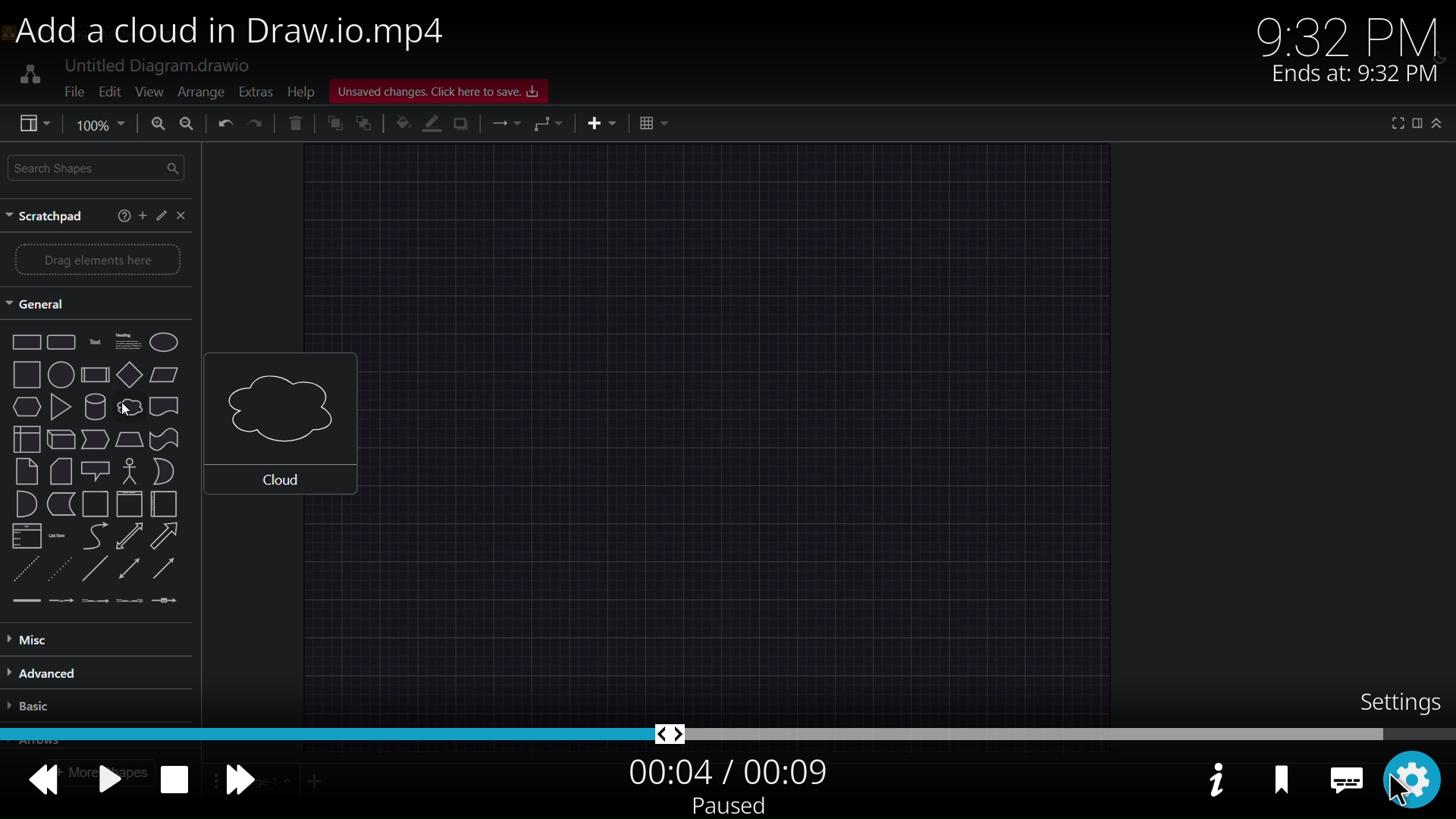  Describe the element at coordinates (725, 772) in the screenshot. I see `00:04 / 00:09` at that location.